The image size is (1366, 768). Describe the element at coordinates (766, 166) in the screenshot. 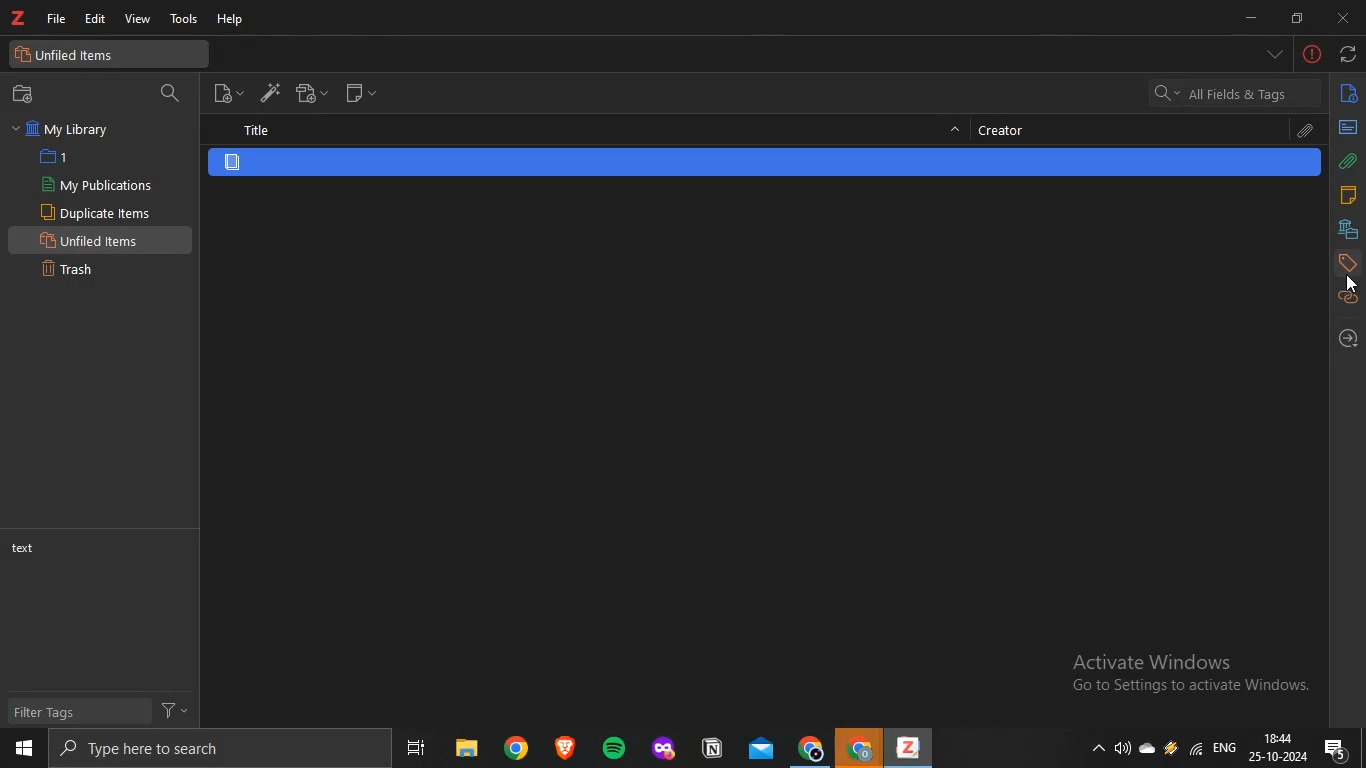

I see `item` at that location.